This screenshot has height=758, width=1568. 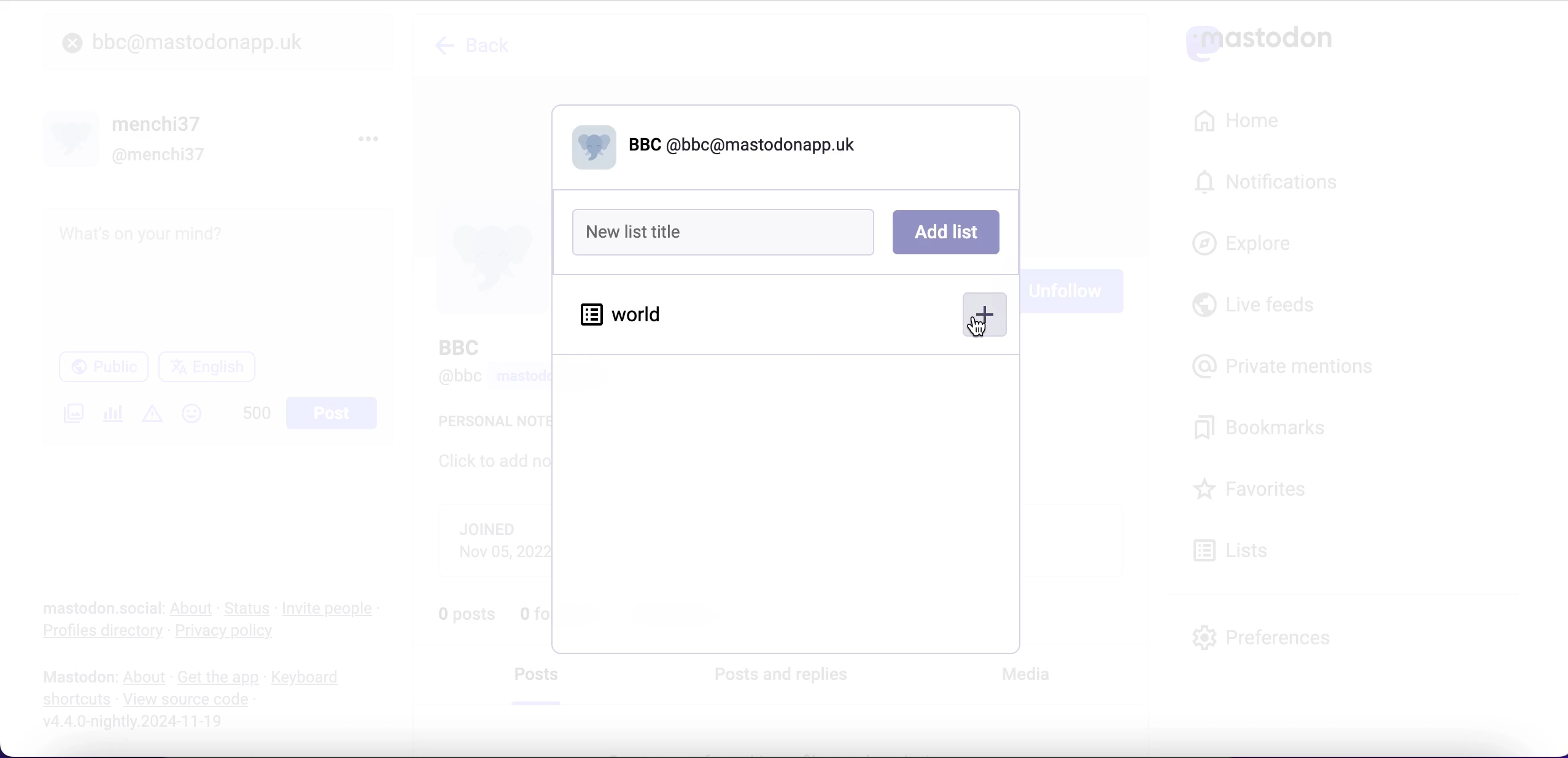 I want to click on cursor, so click(x=971, y=327).